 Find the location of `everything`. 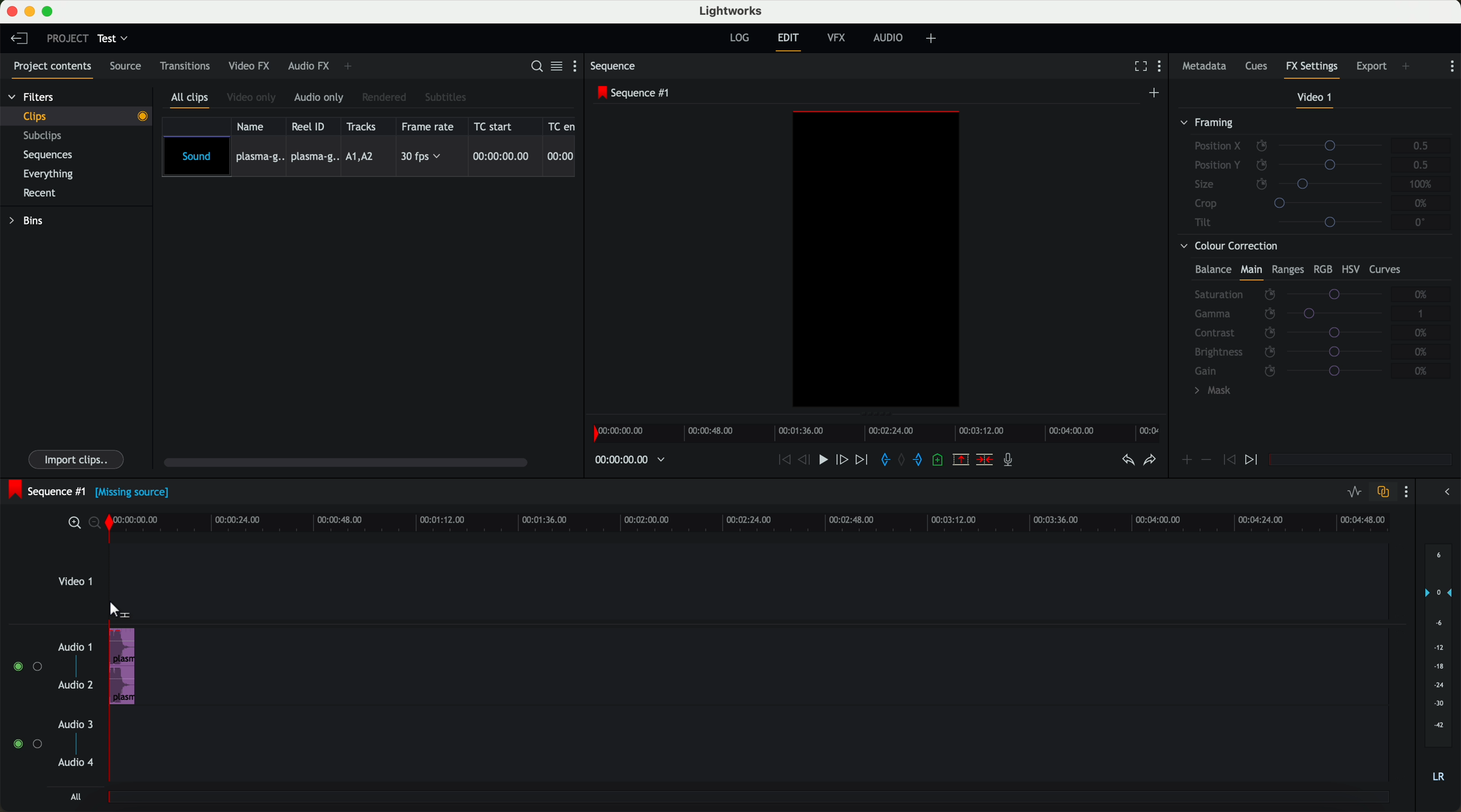

everything is located at coordinates (54, 173).